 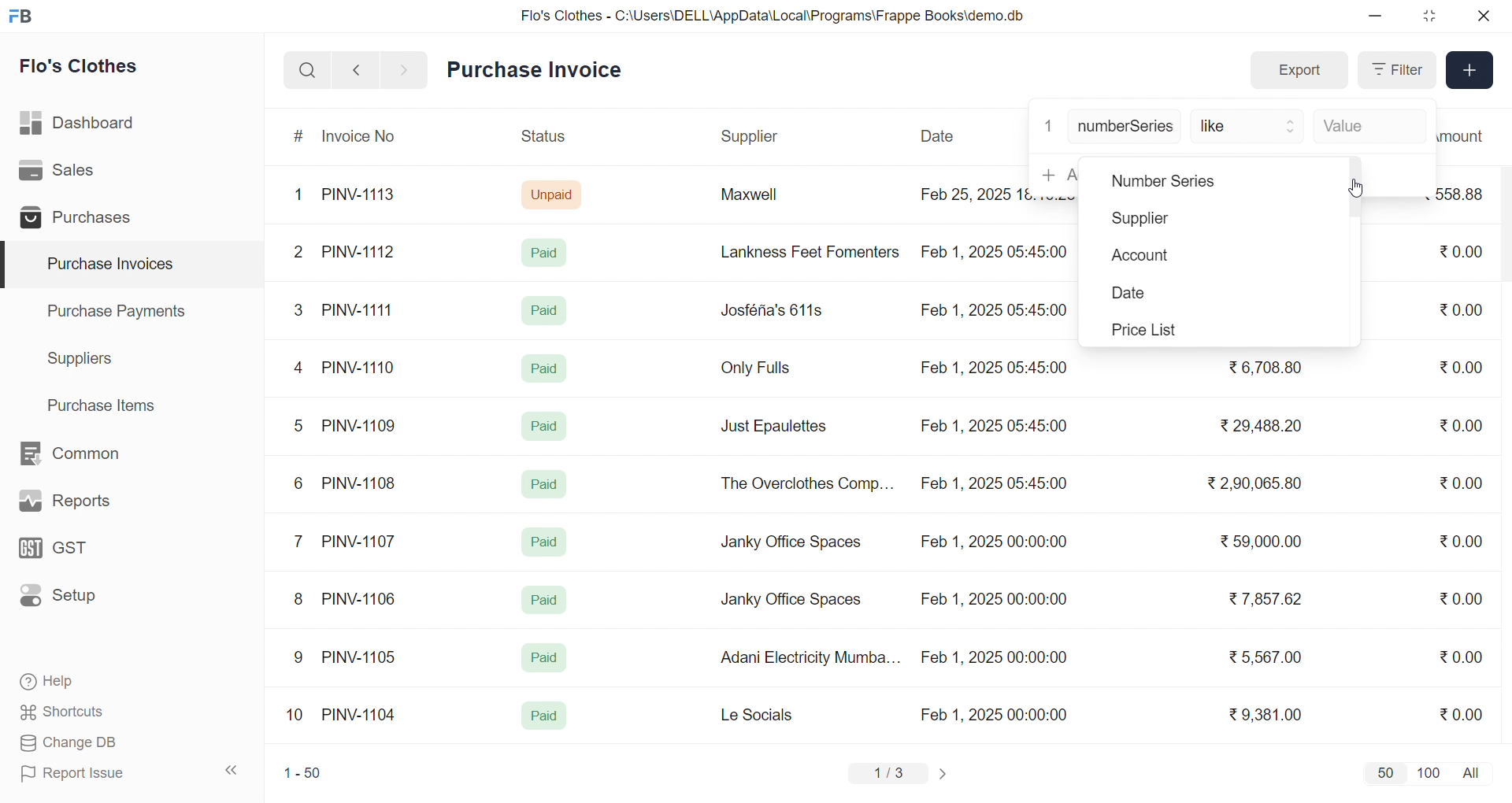 What do you see at coordinates (1461, 713) in the screenshot?
I see `₹0.00` at bounding box center [1461, 713].